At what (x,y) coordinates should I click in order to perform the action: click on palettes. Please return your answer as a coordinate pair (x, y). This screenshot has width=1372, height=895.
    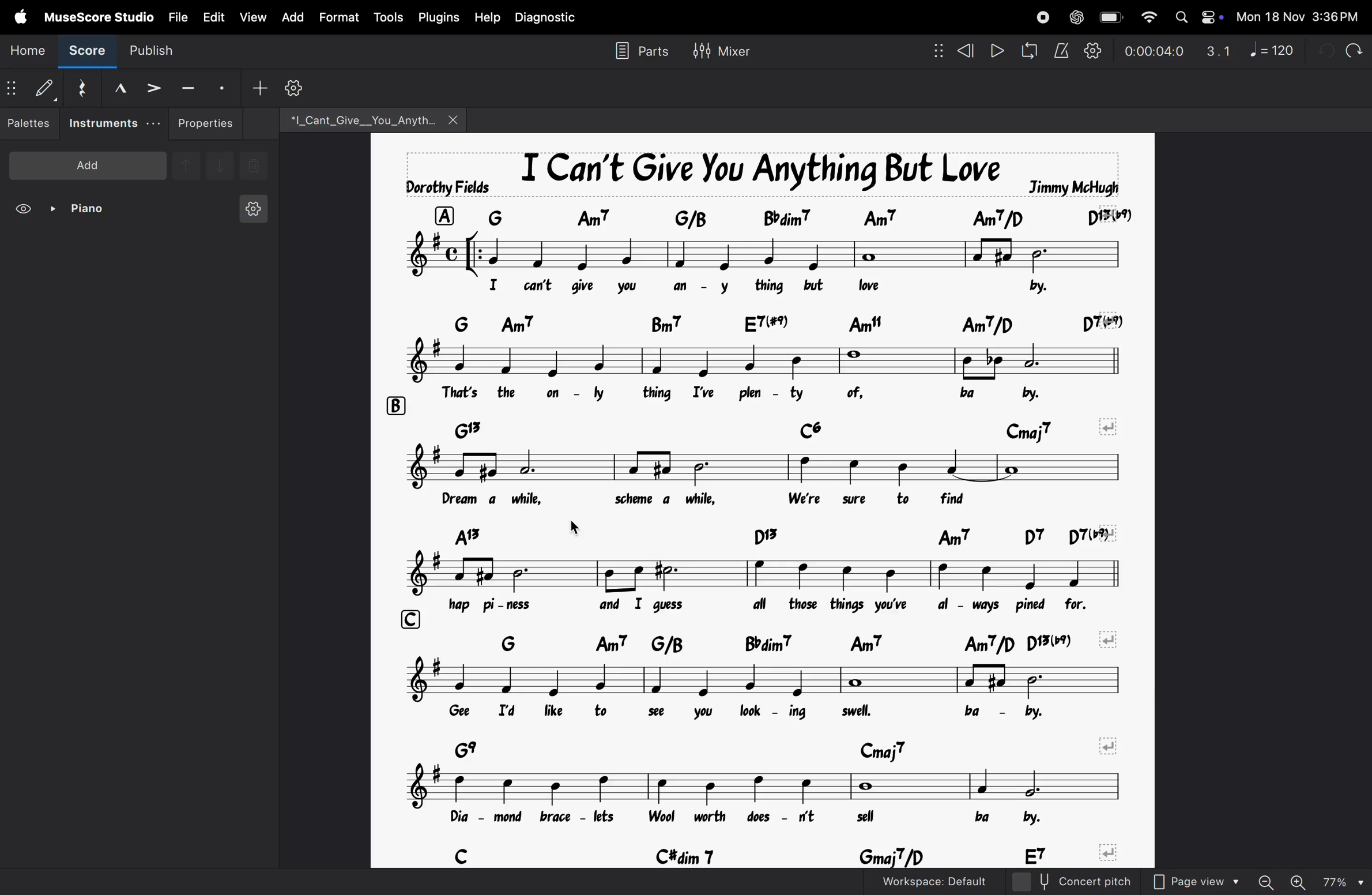
    Looking at the image, I should click on (31, 123).